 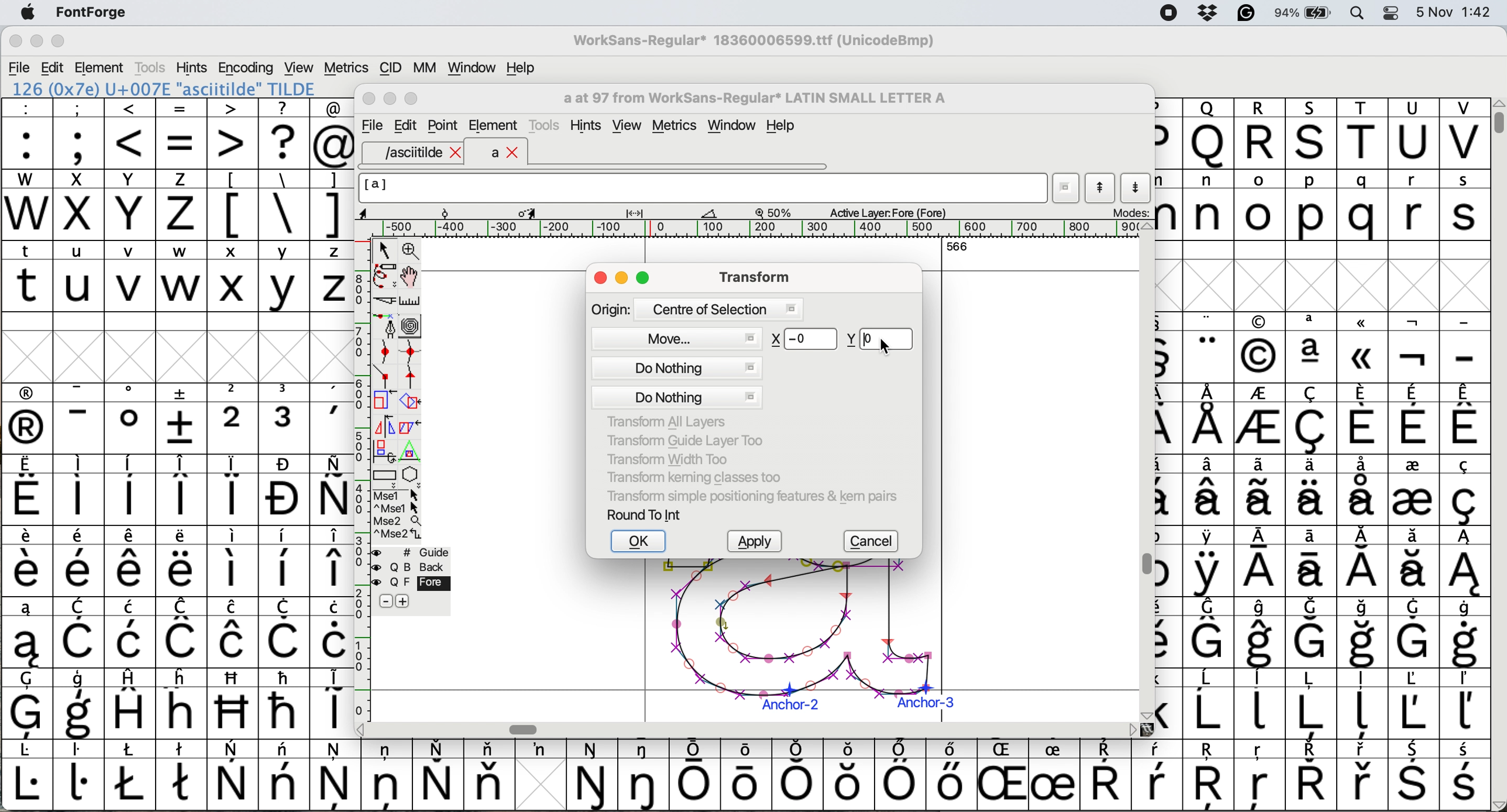 I want to click on file, so click(x=370, y=126).